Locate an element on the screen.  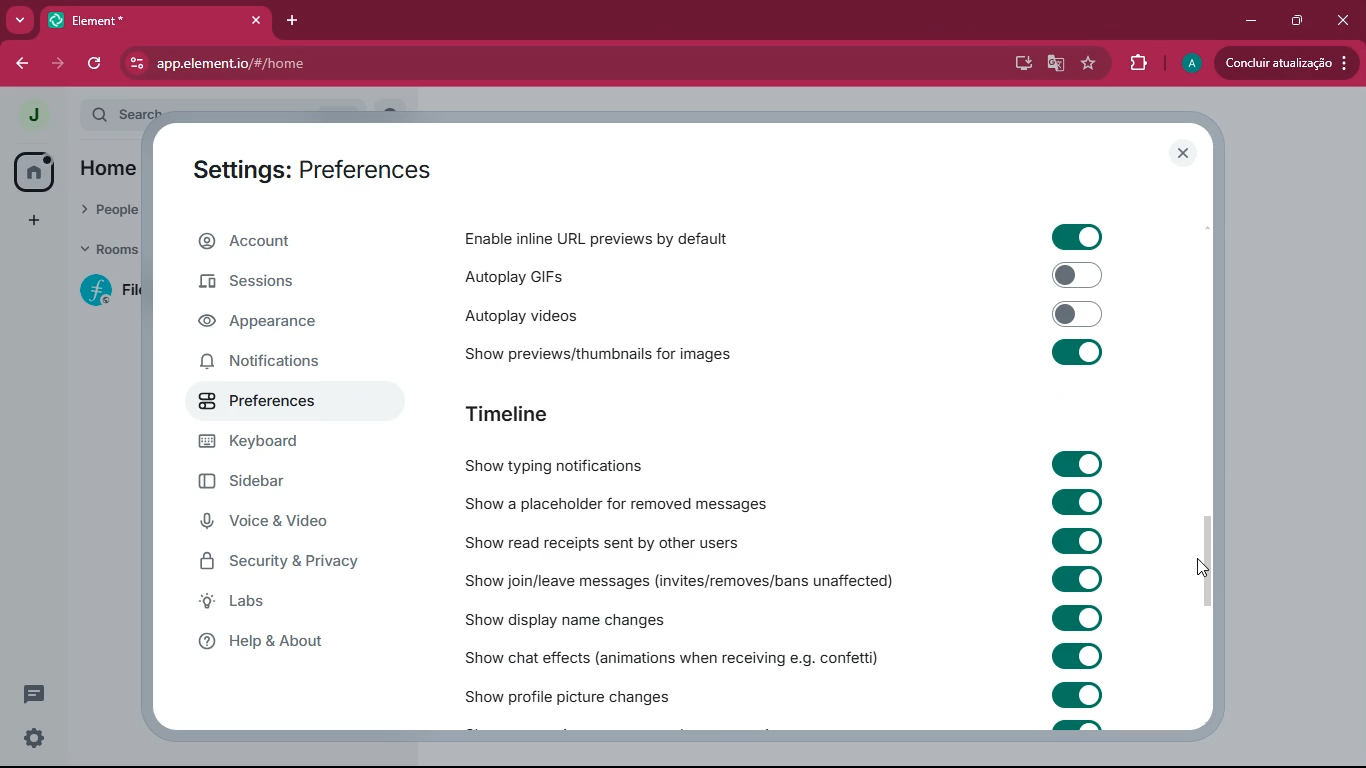
show previews/thumbnails for images is located at coordinates (616, 350).